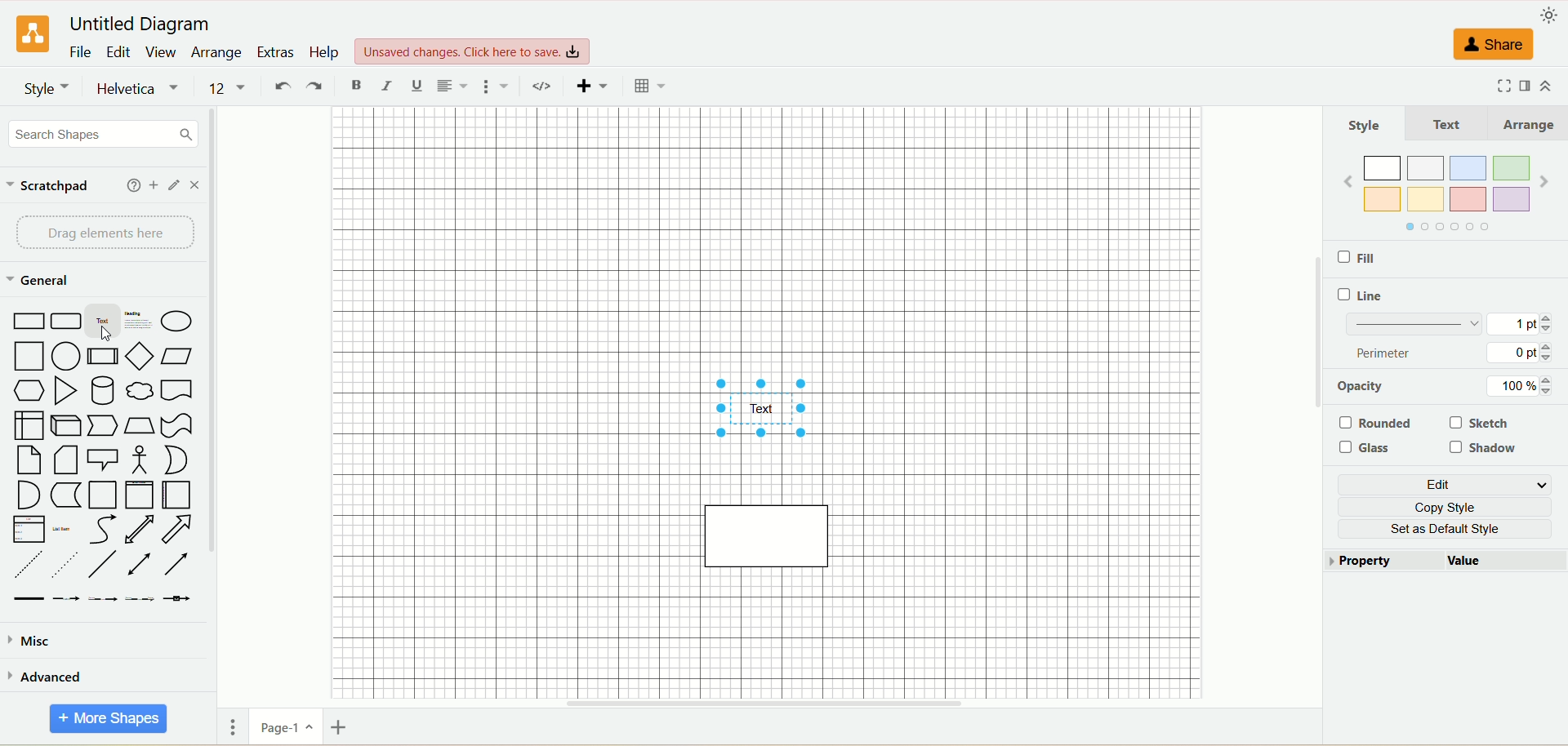 This screenshot has height=746, width=1568. I want to click on general, so click(38, 280).